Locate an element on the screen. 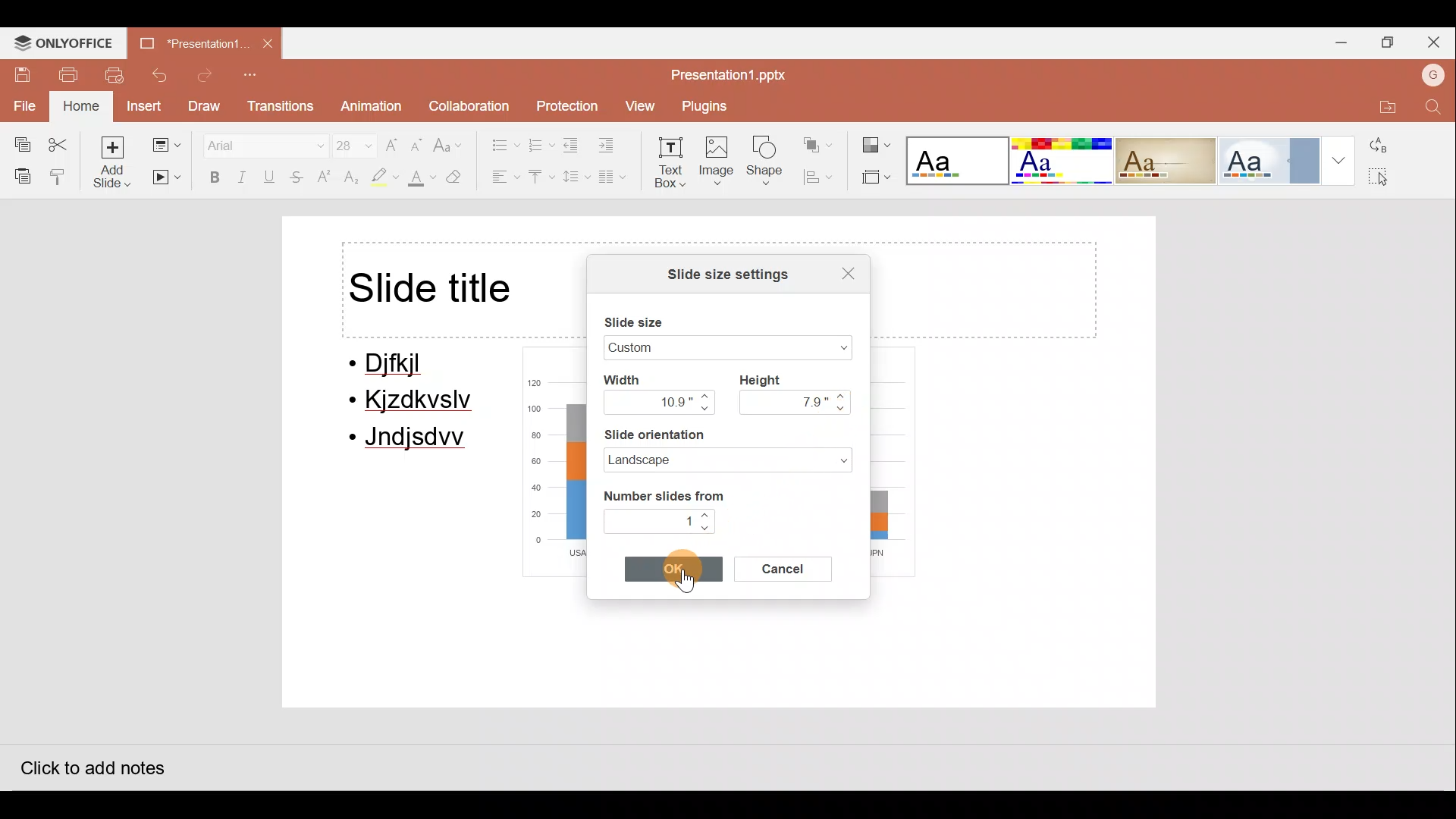 Image resolution: width=1456 pixels, height=819 pixels. Slide orientation is located at coordinates (698, 435).